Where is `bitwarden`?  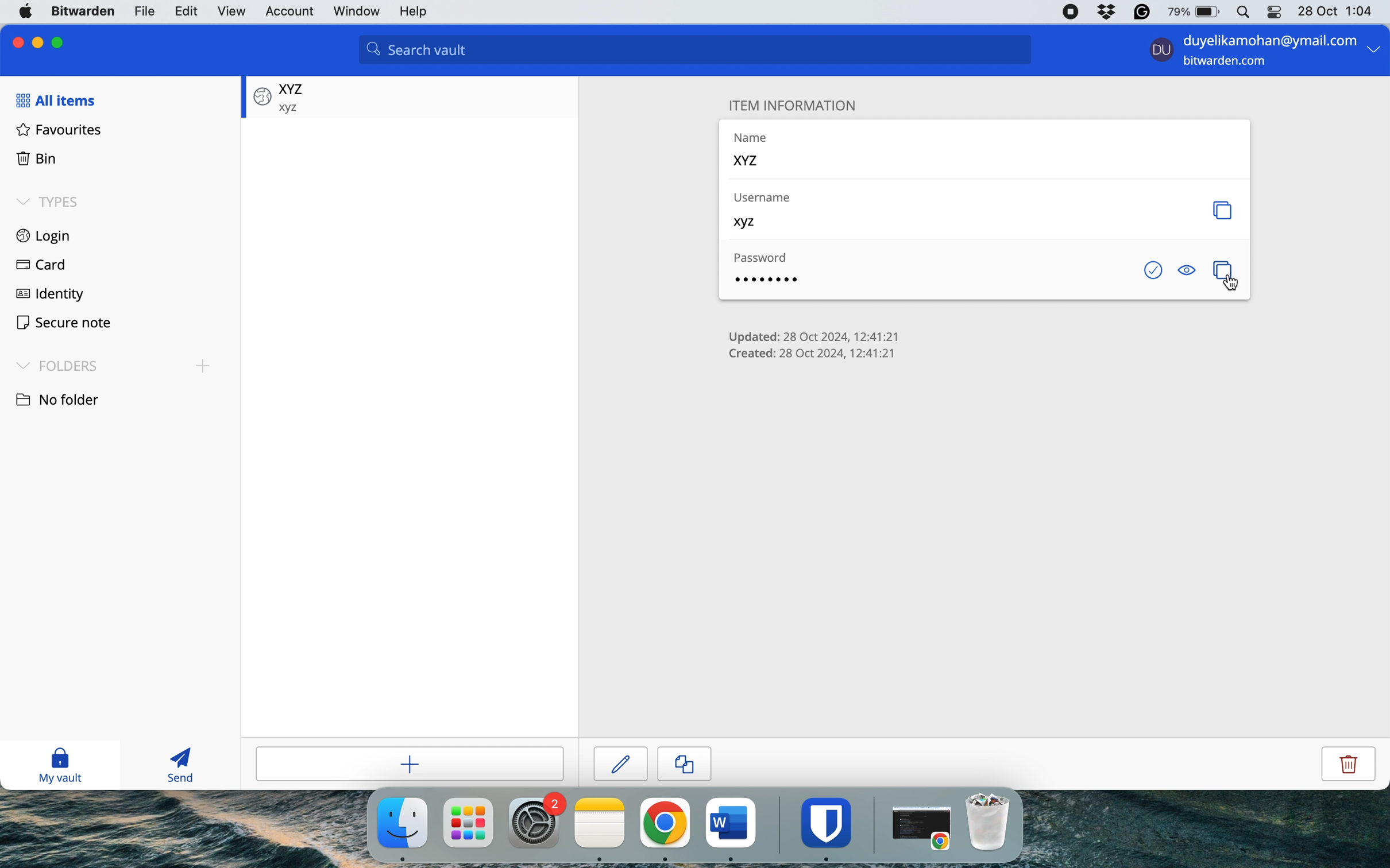 bitwarden is located at coordinates (85, 12).